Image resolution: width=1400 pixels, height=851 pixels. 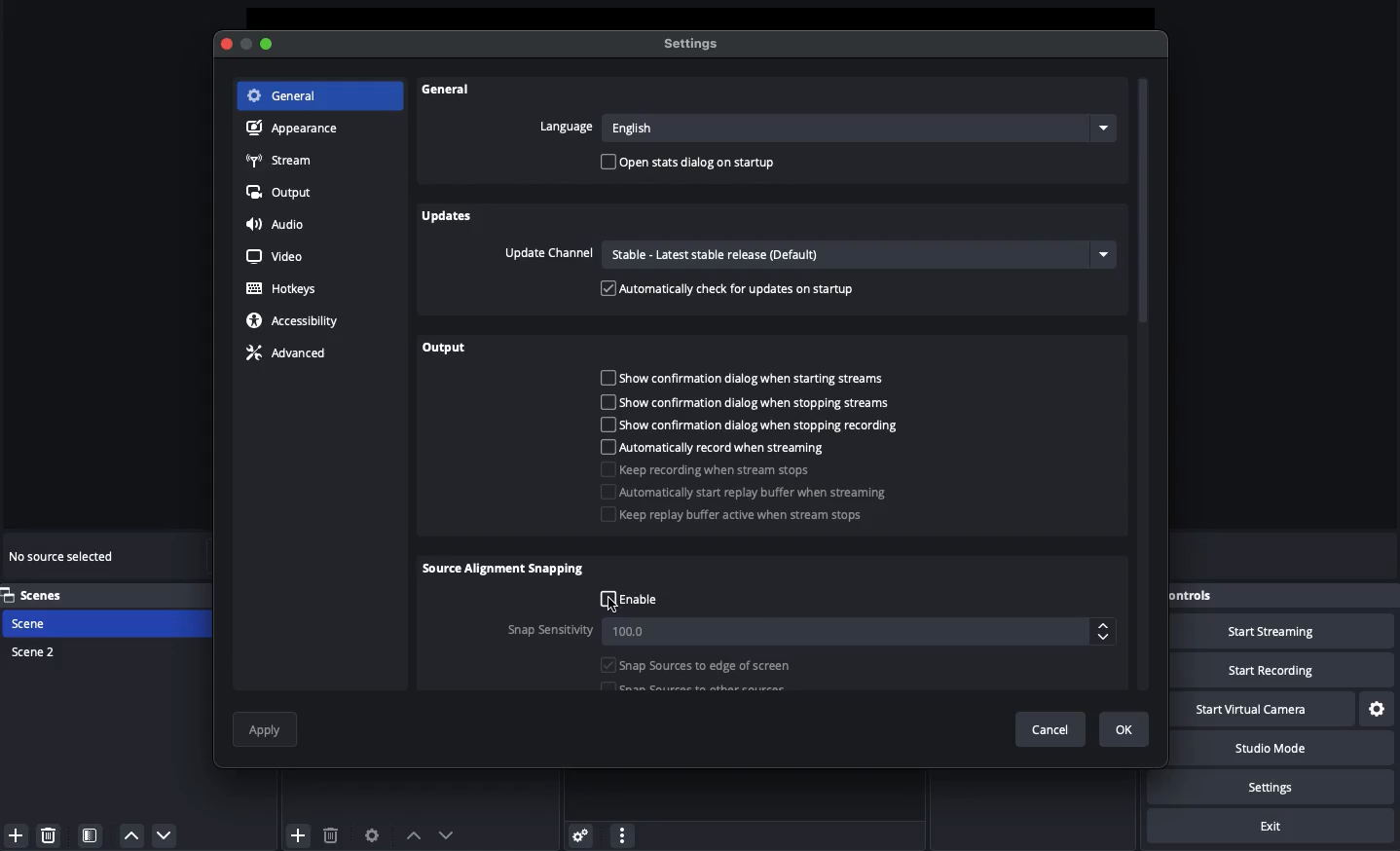 What do you see at coordinates (1050, 730) in the screenshot?
I see `Cancel` at bounding box center [1050, 730].